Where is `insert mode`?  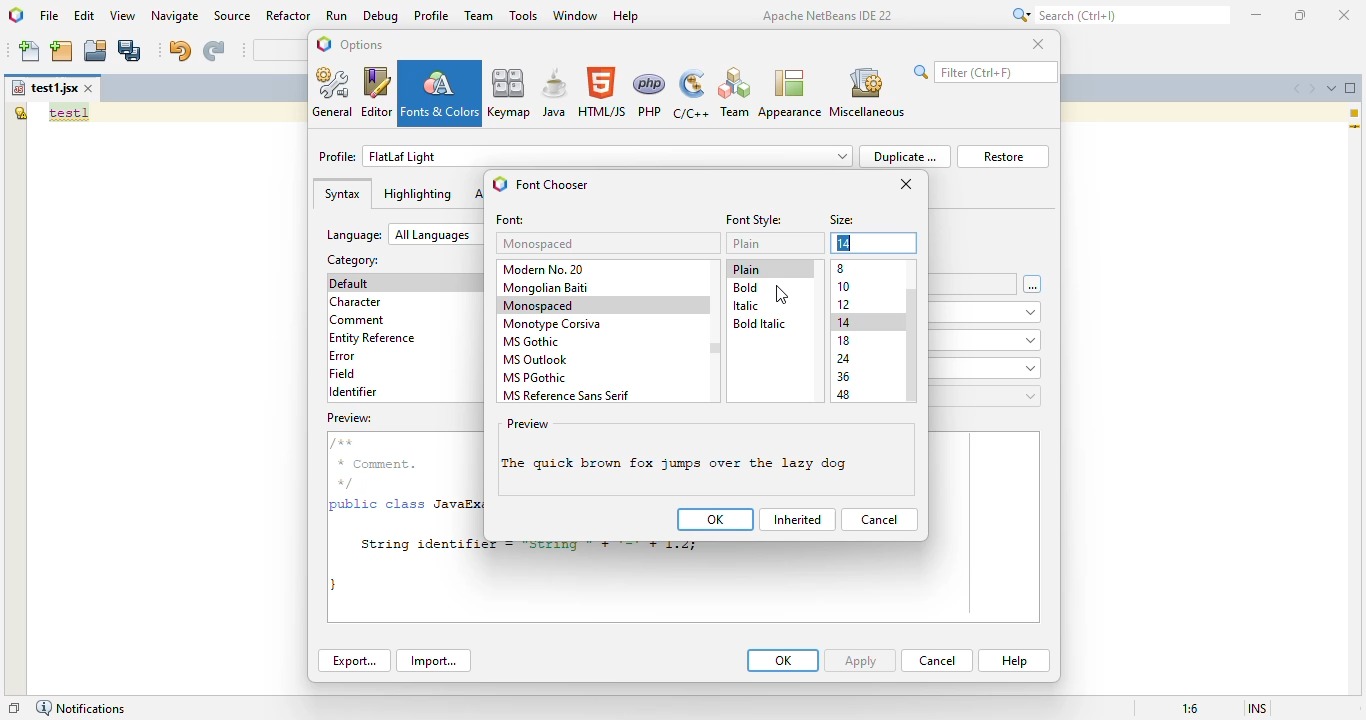 insert mode is located at coordinates (1258, 709).